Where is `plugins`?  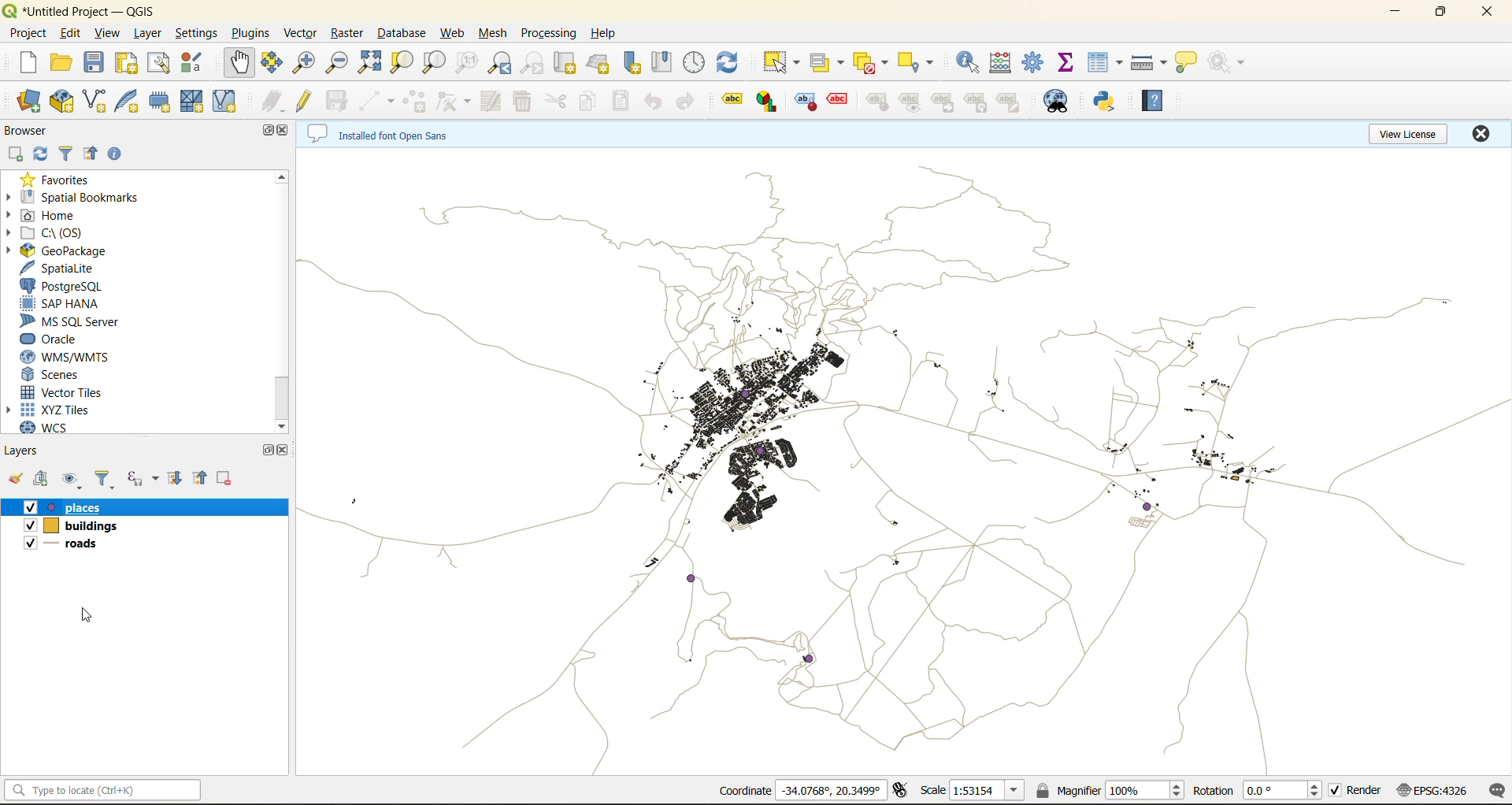
plugins is located at coordinates (254, 32).